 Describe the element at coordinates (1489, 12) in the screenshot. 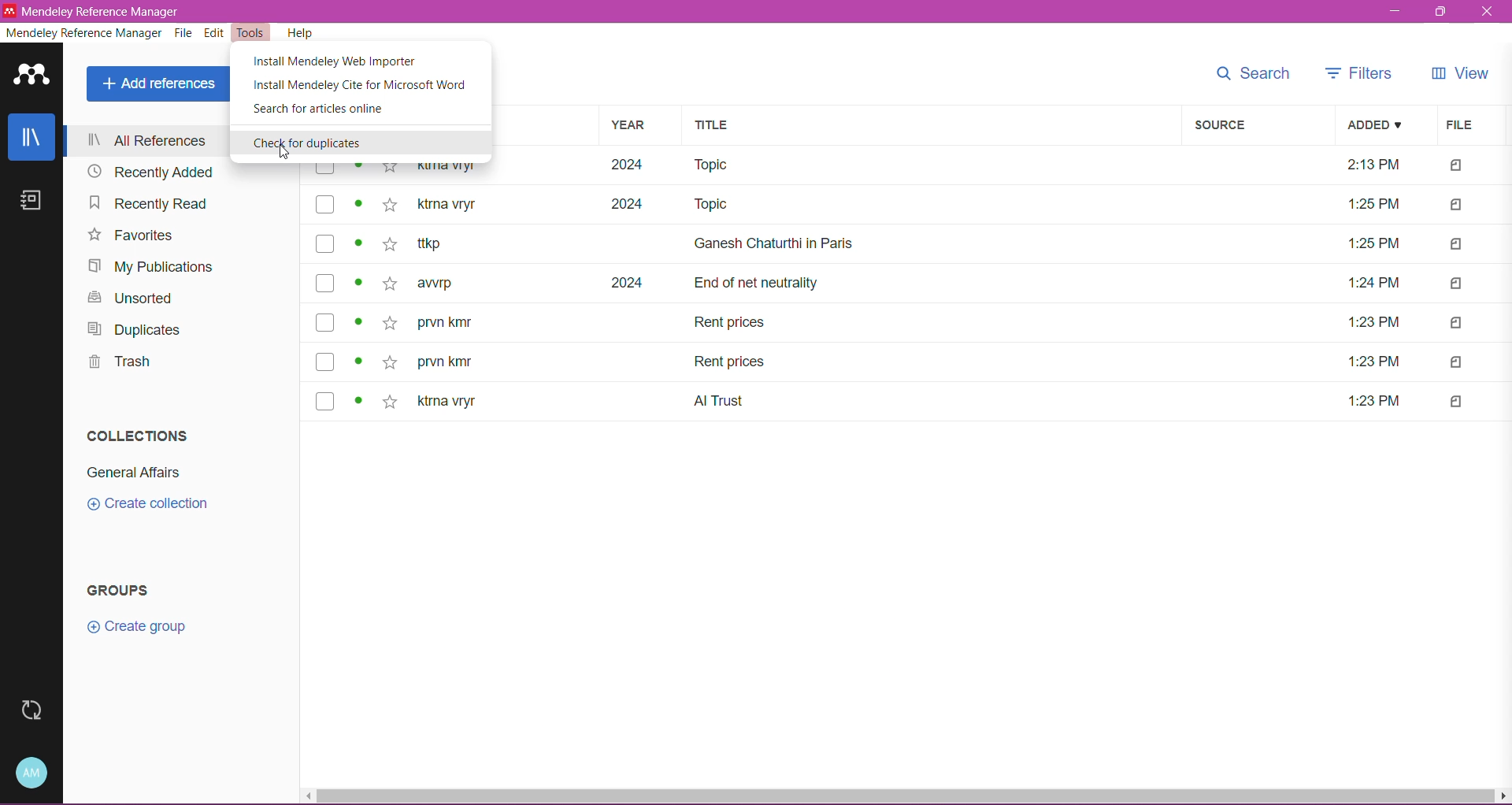

I see `close` at that location.